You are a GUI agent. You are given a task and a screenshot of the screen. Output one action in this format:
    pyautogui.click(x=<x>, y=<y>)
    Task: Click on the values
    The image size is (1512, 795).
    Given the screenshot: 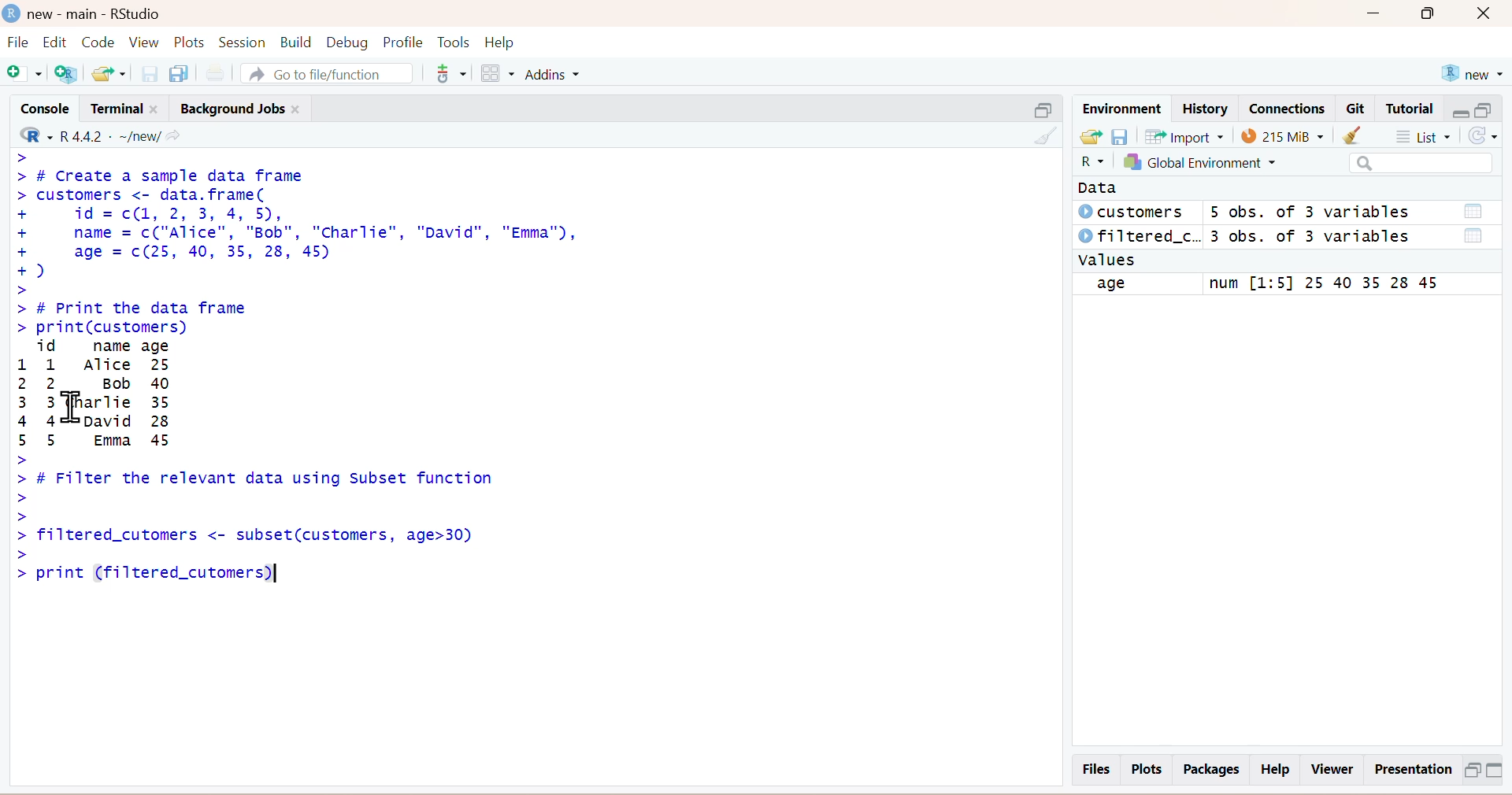 What is the action you would take?
    pyautogui.click(x=1111, y=260)
    